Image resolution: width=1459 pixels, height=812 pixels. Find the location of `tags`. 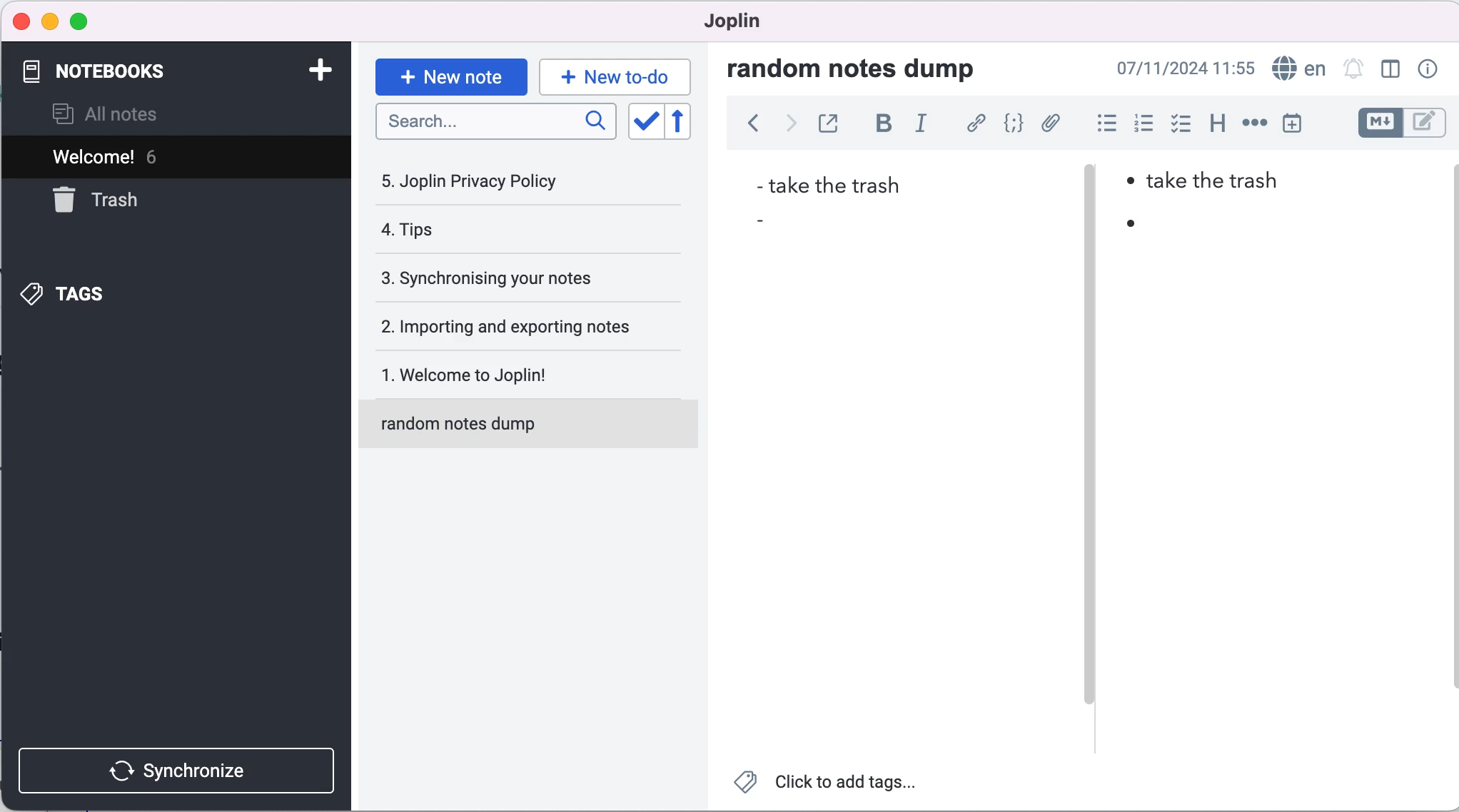

tags is located at coordinates (106, 293).